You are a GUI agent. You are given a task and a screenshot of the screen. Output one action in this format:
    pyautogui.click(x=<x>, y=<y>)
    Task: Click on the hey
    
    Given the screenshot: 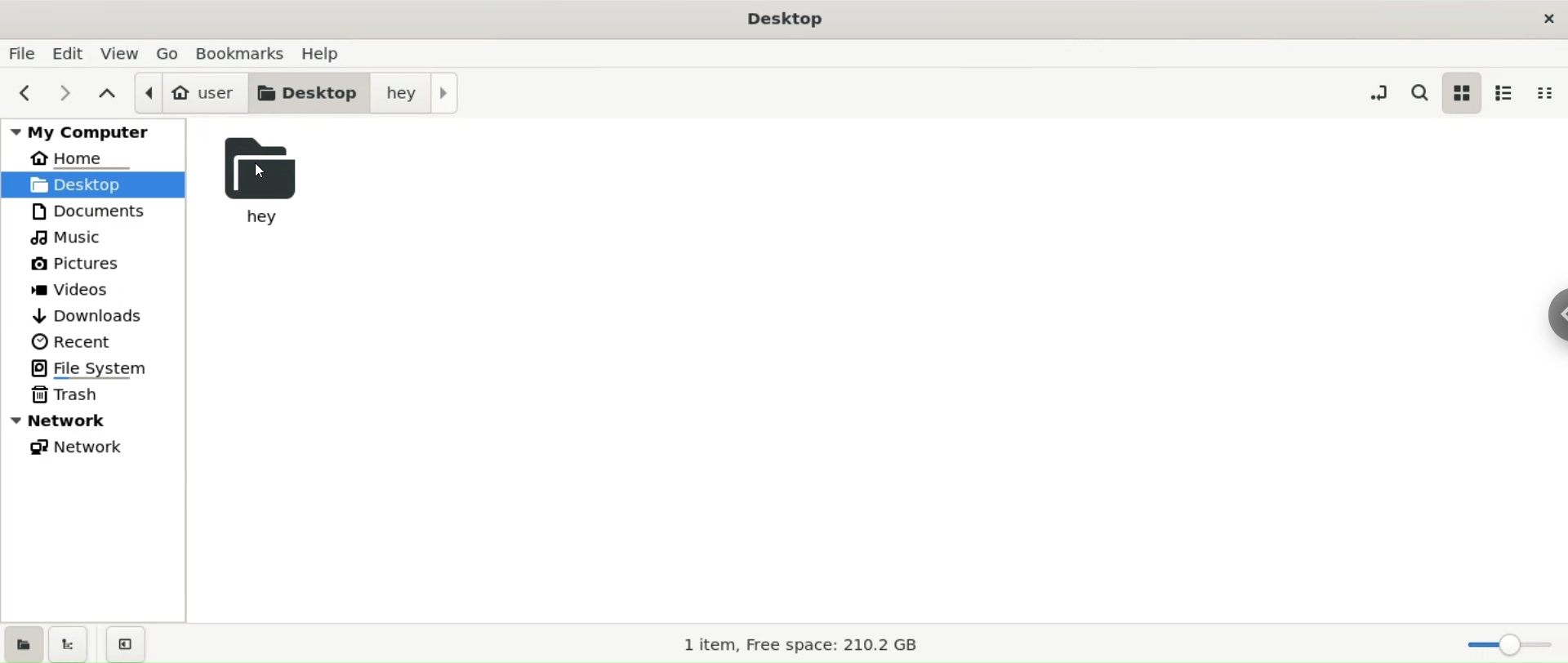 What is the action you would take?
    pyautogui.click(x=268, y=176)
    